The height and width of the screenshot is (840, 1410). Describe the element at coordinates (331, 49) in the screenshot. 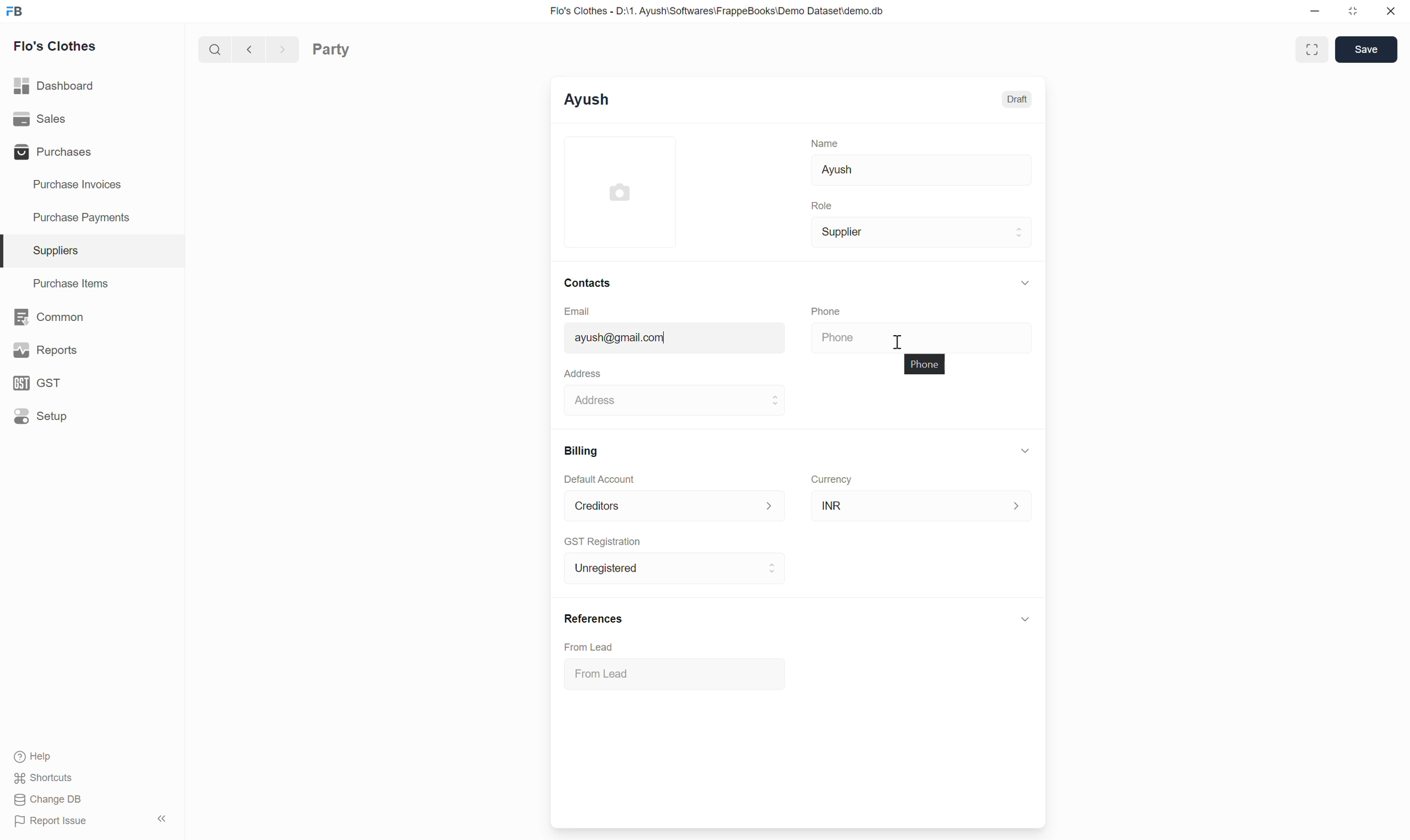

I see `Party` at that location.